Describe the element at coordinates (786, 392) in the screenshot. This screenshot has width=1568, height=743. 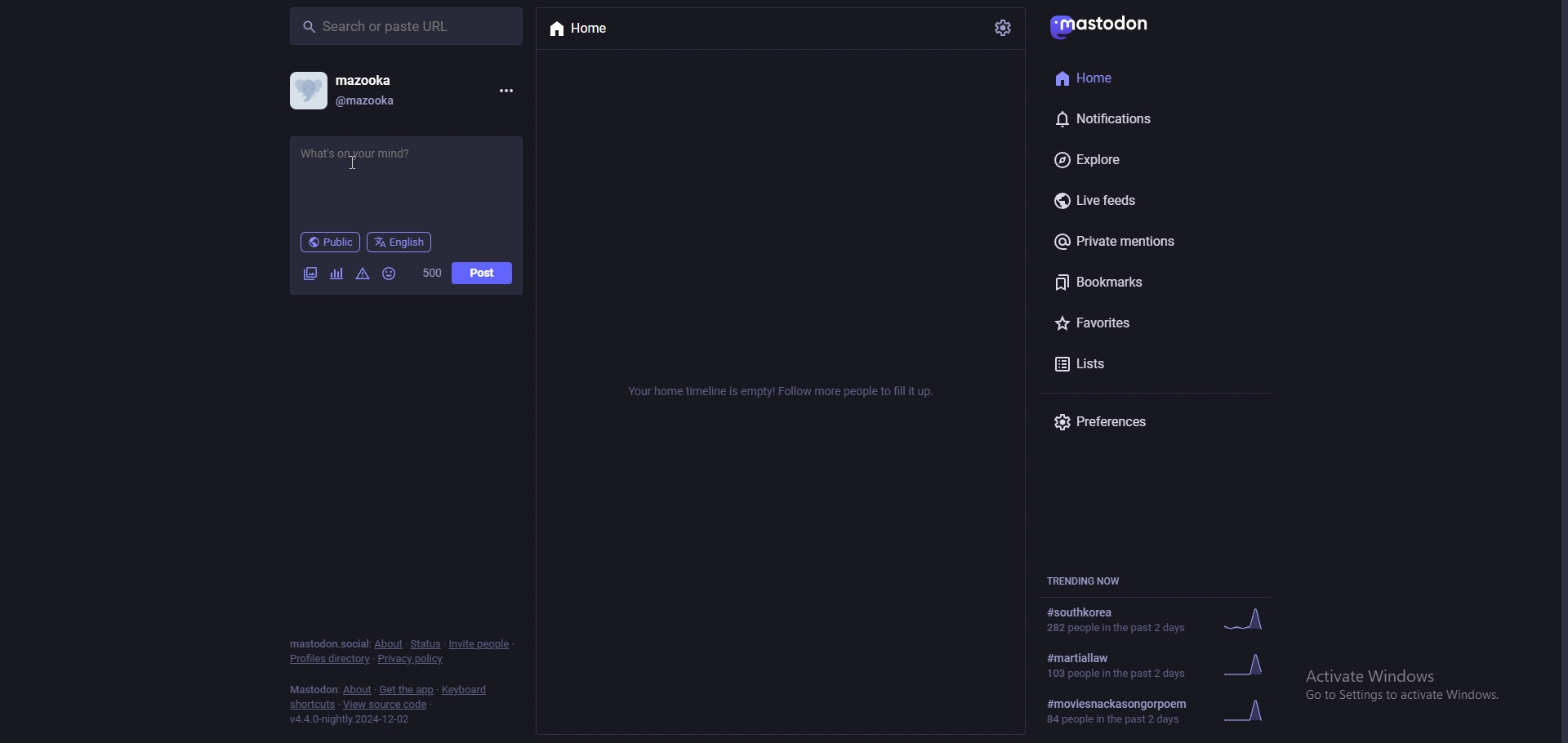
I see `info` at that location.